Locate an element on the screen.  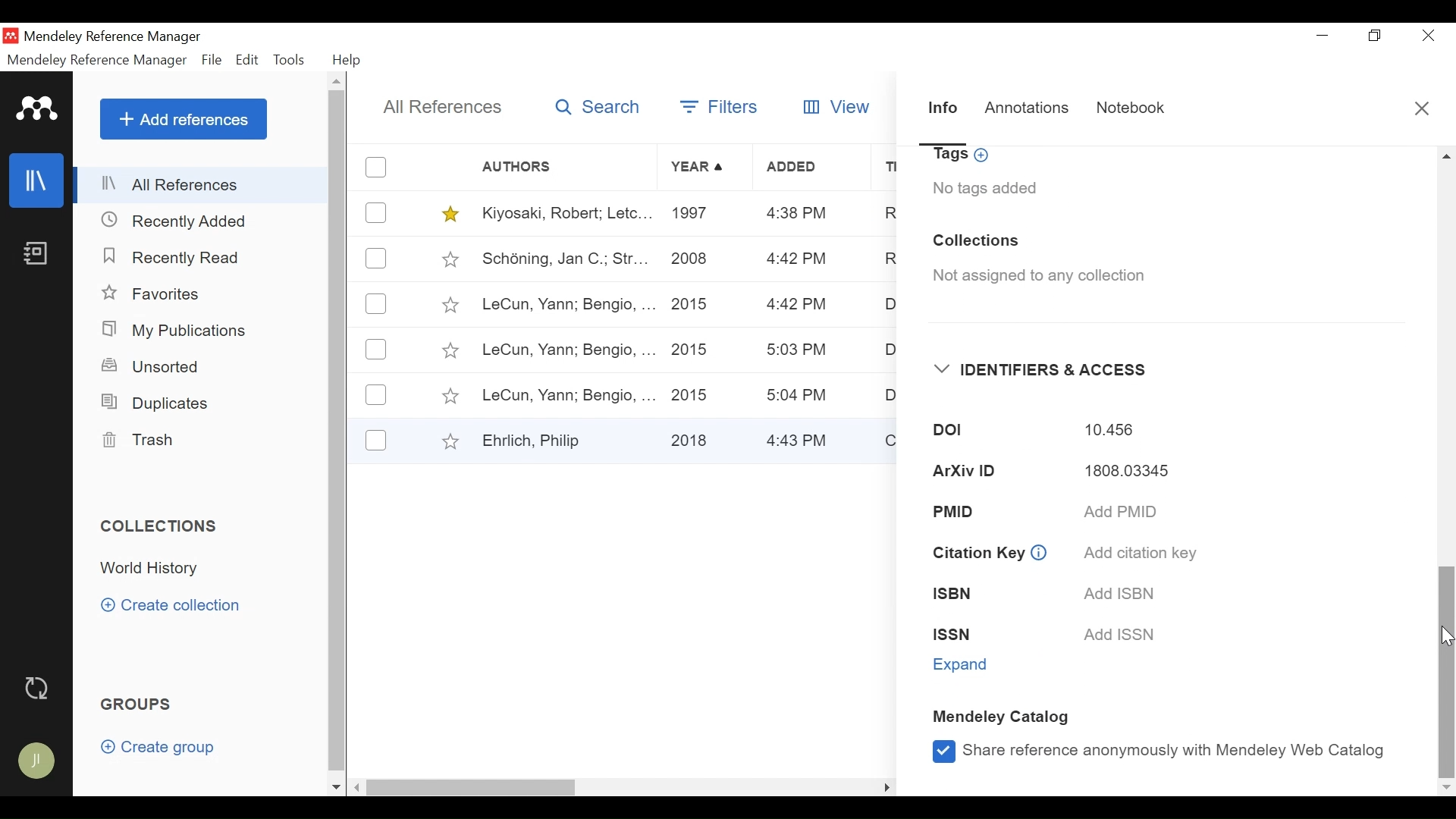
Close is located at coordinates (1425, 36).